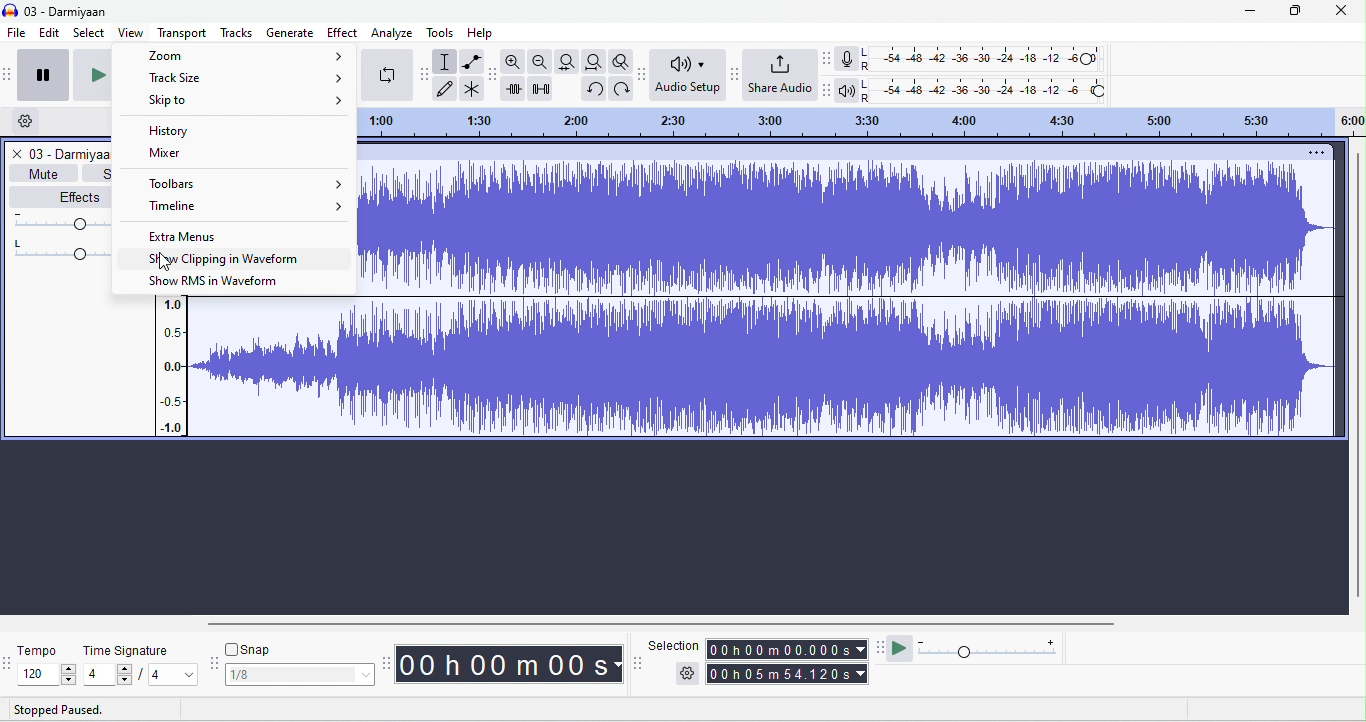 Image resolution: width=1366 pixels, height=722 pixels. I want to click on title, so click(76, 154).